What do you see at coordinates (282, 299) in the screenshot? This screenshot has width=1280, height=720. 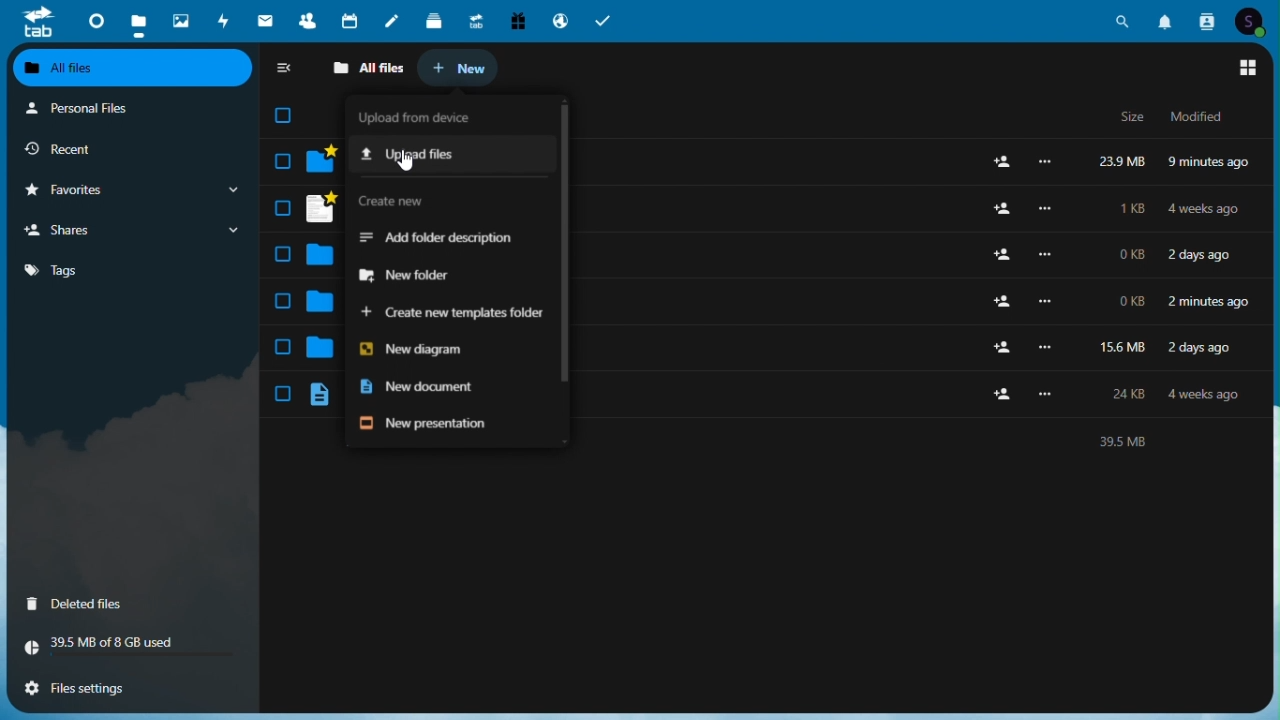 I see `select` at bounding box center [282, 299].